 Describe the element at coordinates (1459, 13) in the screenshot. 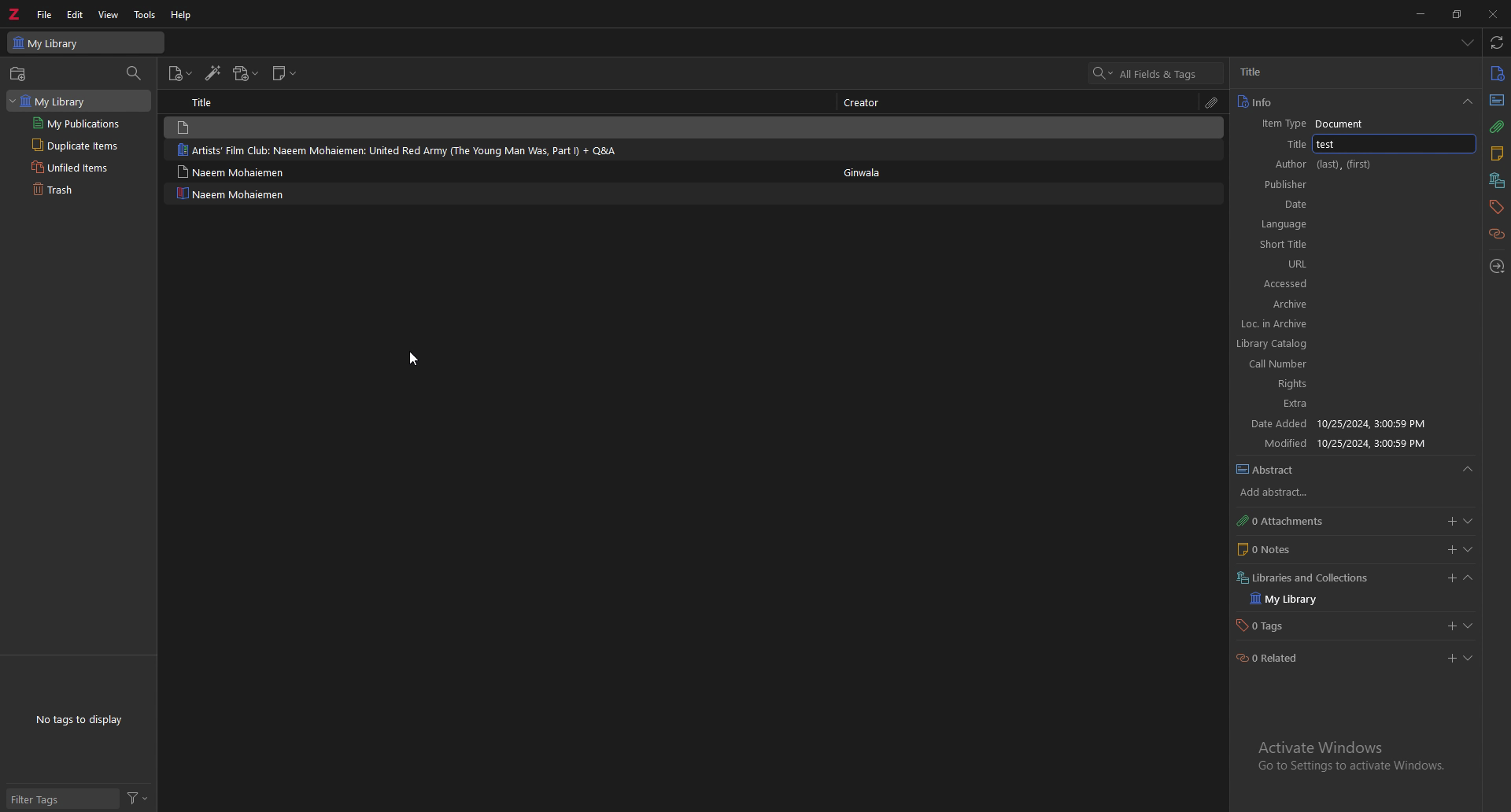

I see `resize` at that location.